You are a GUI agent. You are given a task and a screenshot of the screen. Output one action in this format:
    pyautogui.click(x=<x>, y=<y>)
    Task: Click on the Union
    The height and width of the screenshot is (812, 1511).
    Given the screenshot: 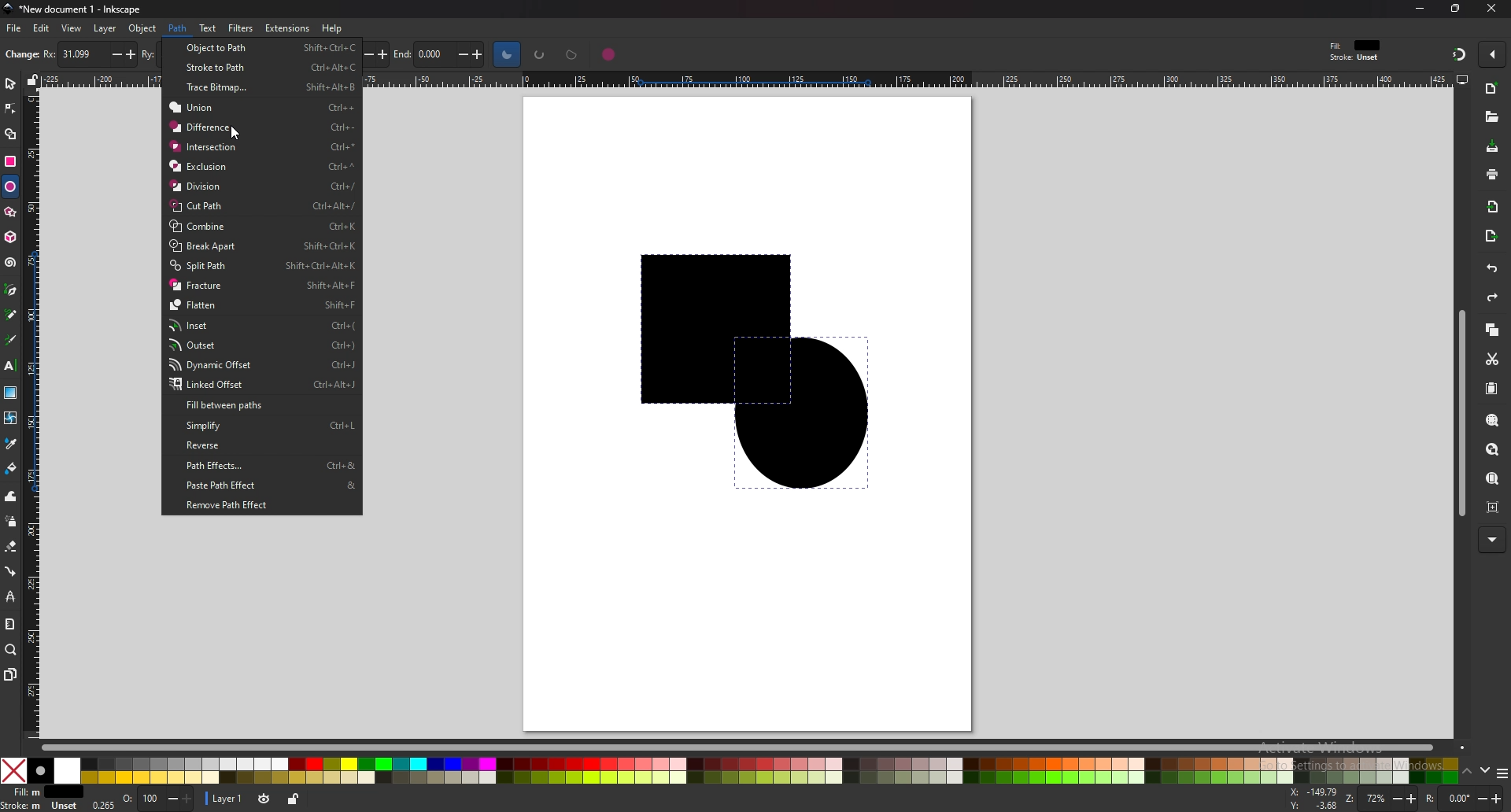 What is the action you would take?
    pyautogui.click(x=261, y=109)
    